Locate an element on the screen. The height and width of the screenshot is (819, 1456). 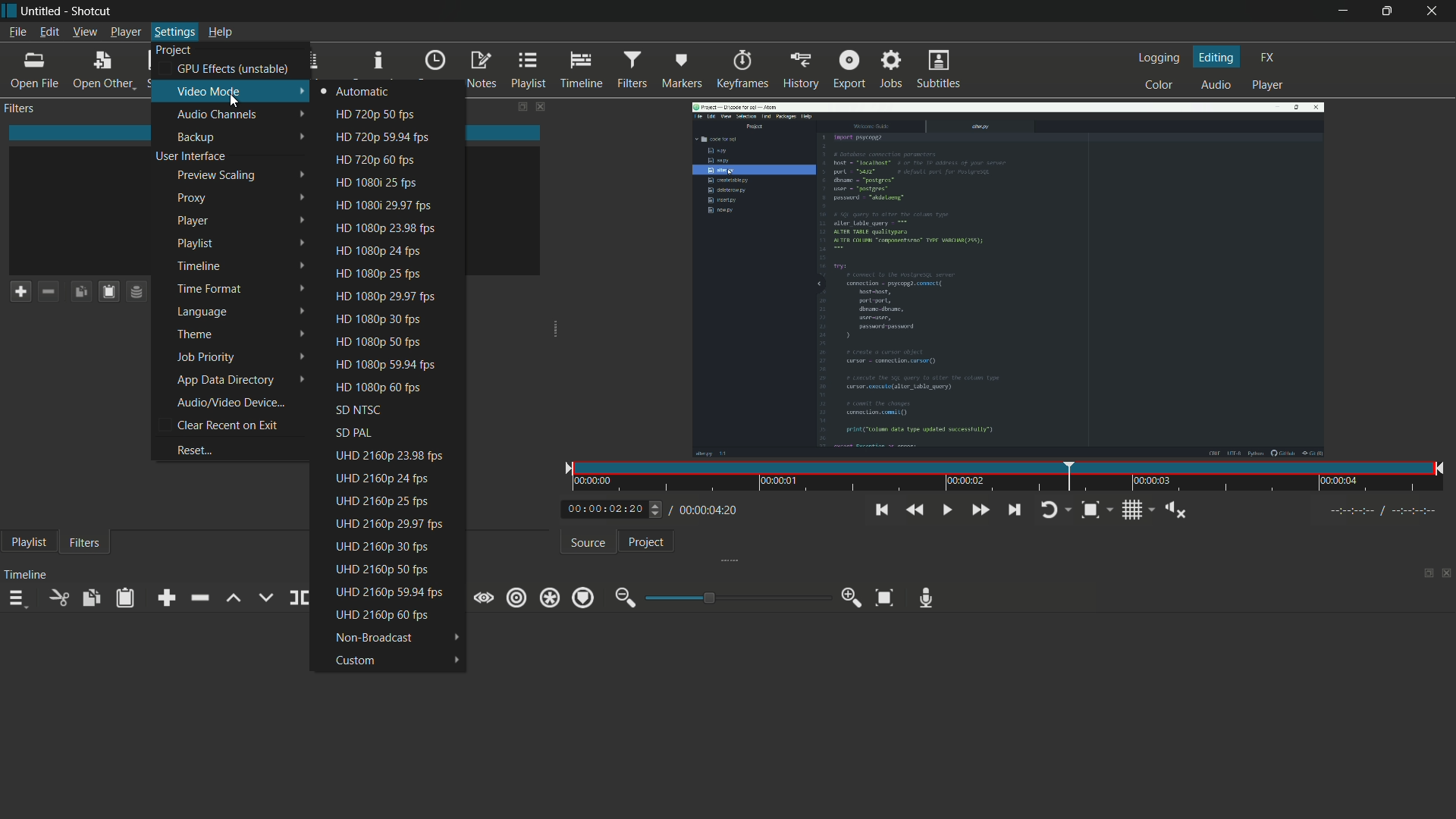
filters is located at coordinates (83, 544).